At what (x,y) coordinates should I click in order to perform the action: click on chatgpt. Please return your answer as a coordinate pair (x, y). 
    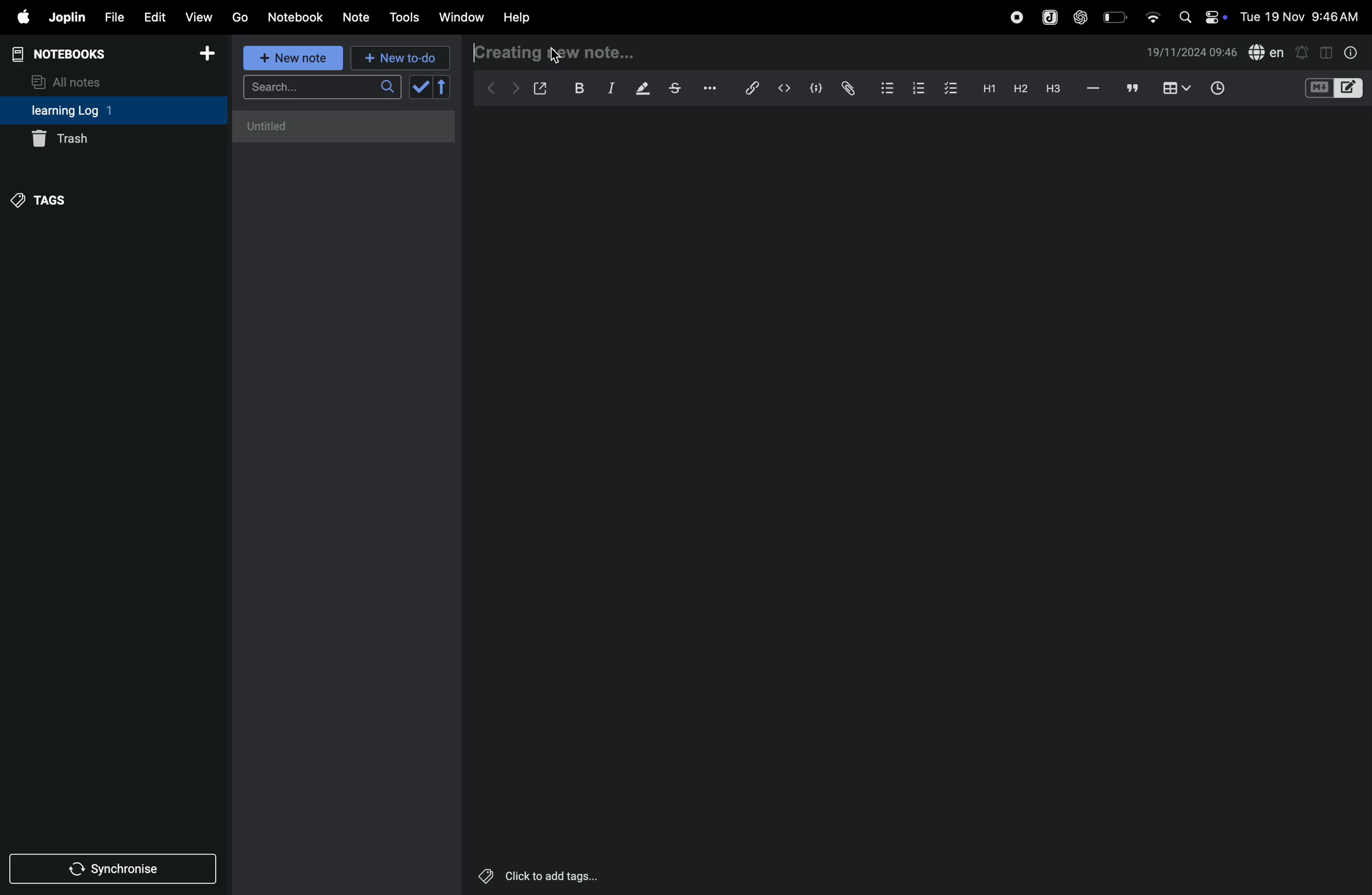
    Looking at the image, I should click on (1081, 16).